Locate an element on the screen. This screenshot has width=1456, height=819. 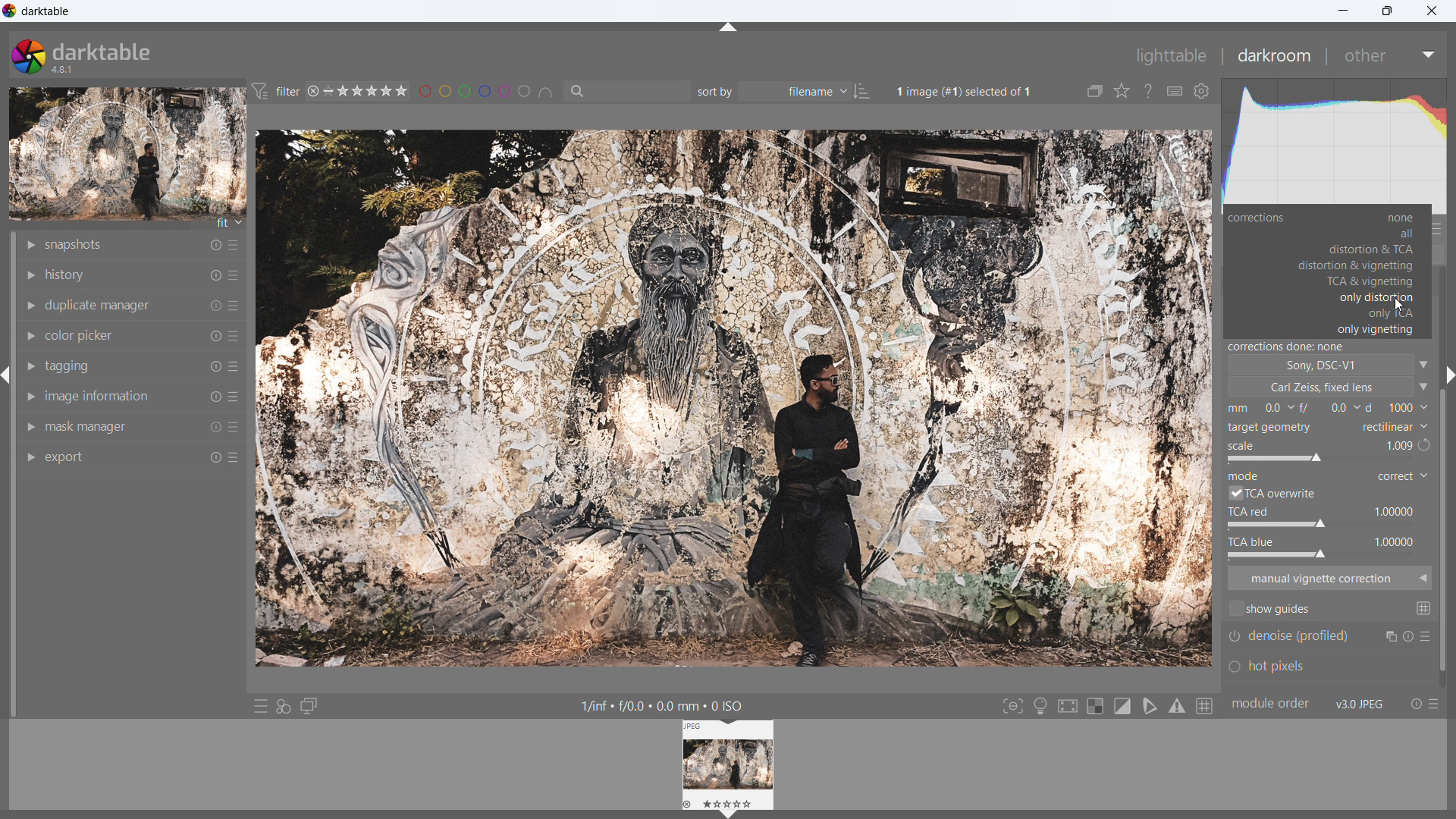
maximize is located at coordinates (1387, 11).